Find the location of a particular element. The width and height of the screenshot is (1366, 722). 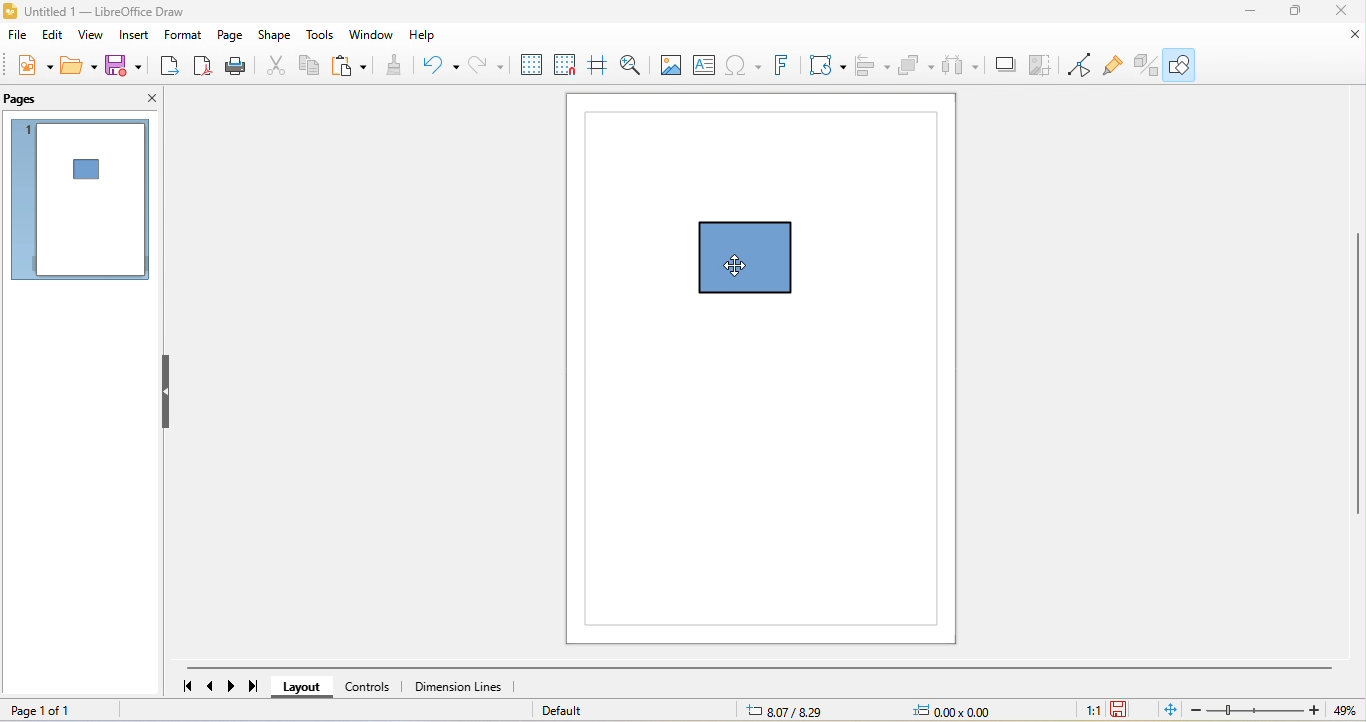

toggle extrusion is located at coordinates (1141, 65).